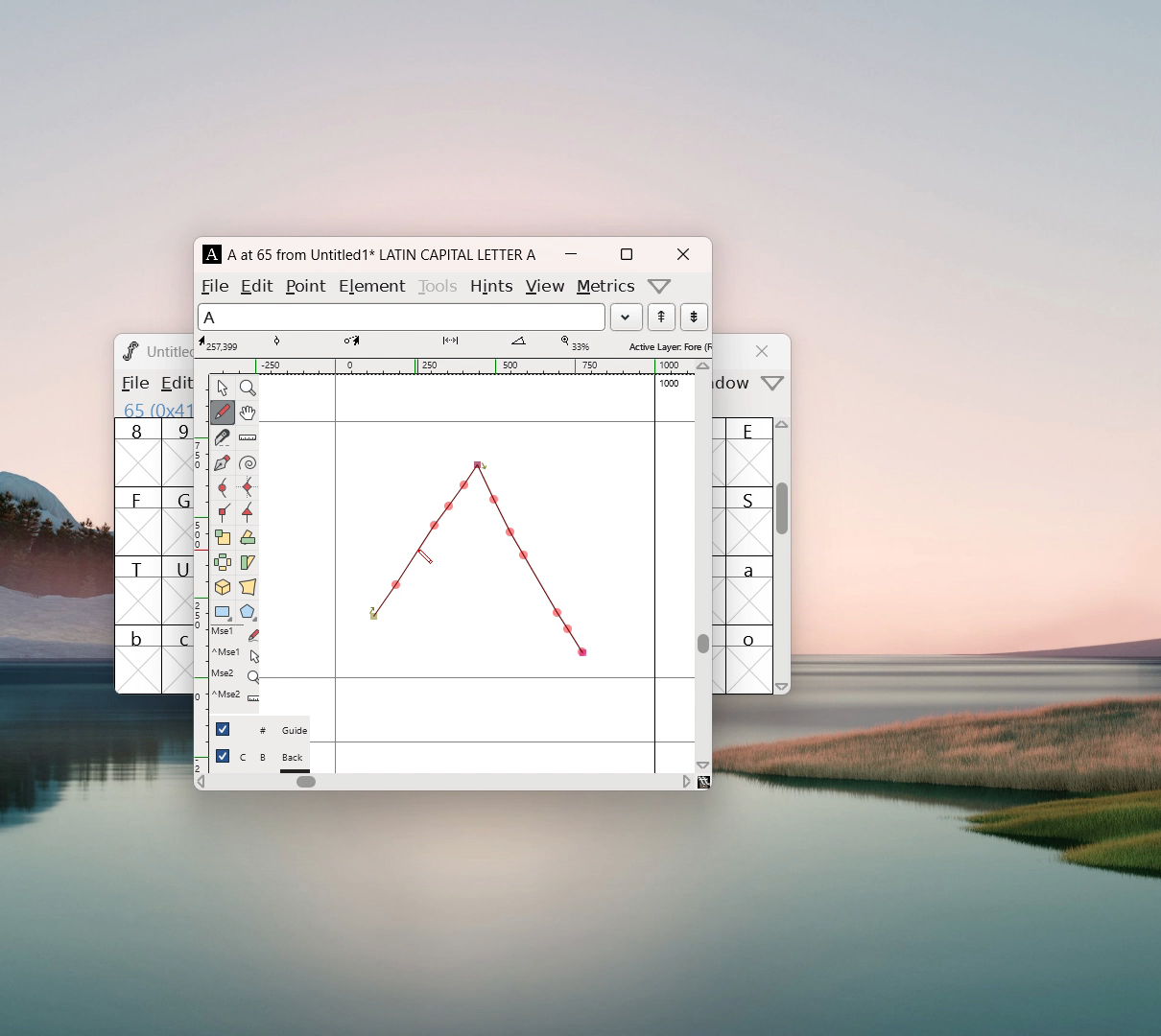 The width and height of the screenshot is (1161, 1036). What do you see at coordinates (273, 760) in the screenshot?
I see `C B Back` at bounding box center [273, 760].